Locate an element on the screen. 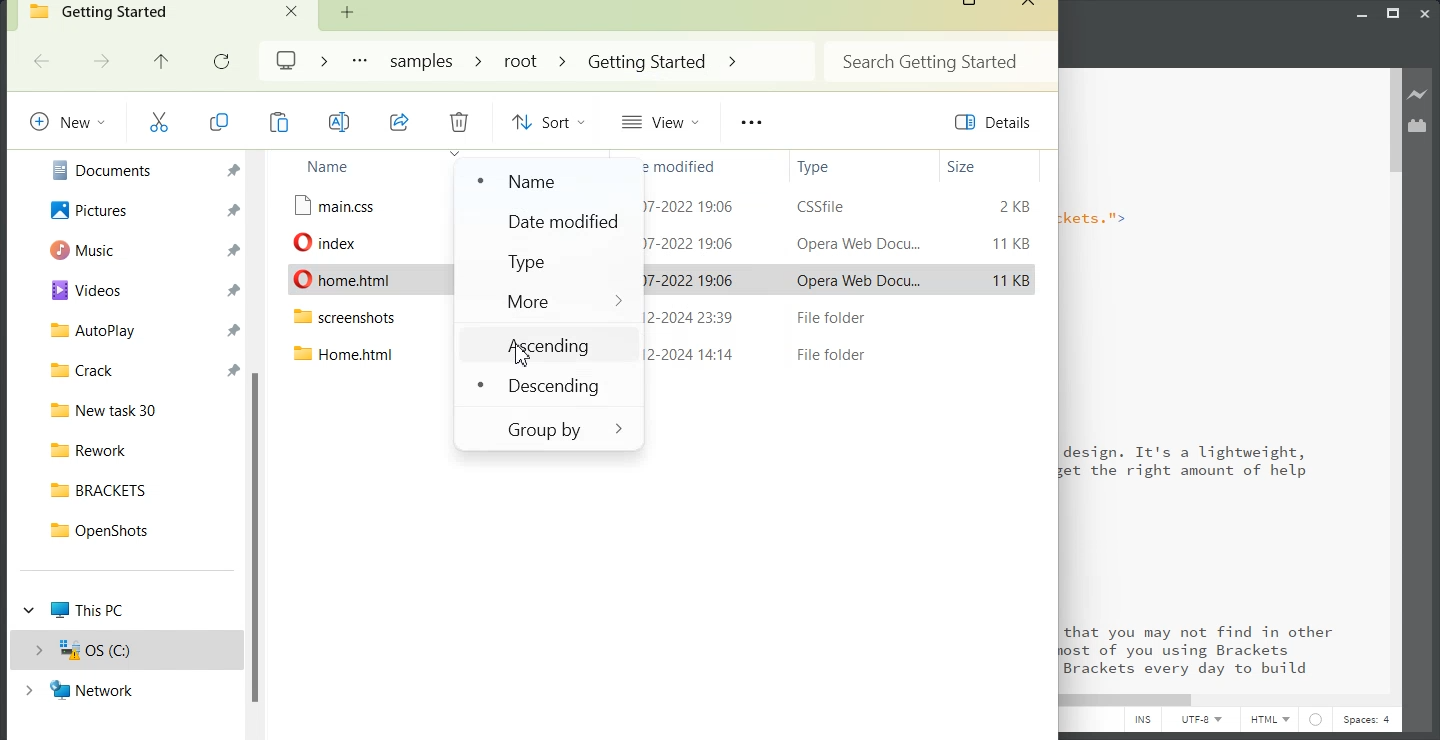 This screenshot has height=740, width=1440. File is located at coordinates (361, 320).